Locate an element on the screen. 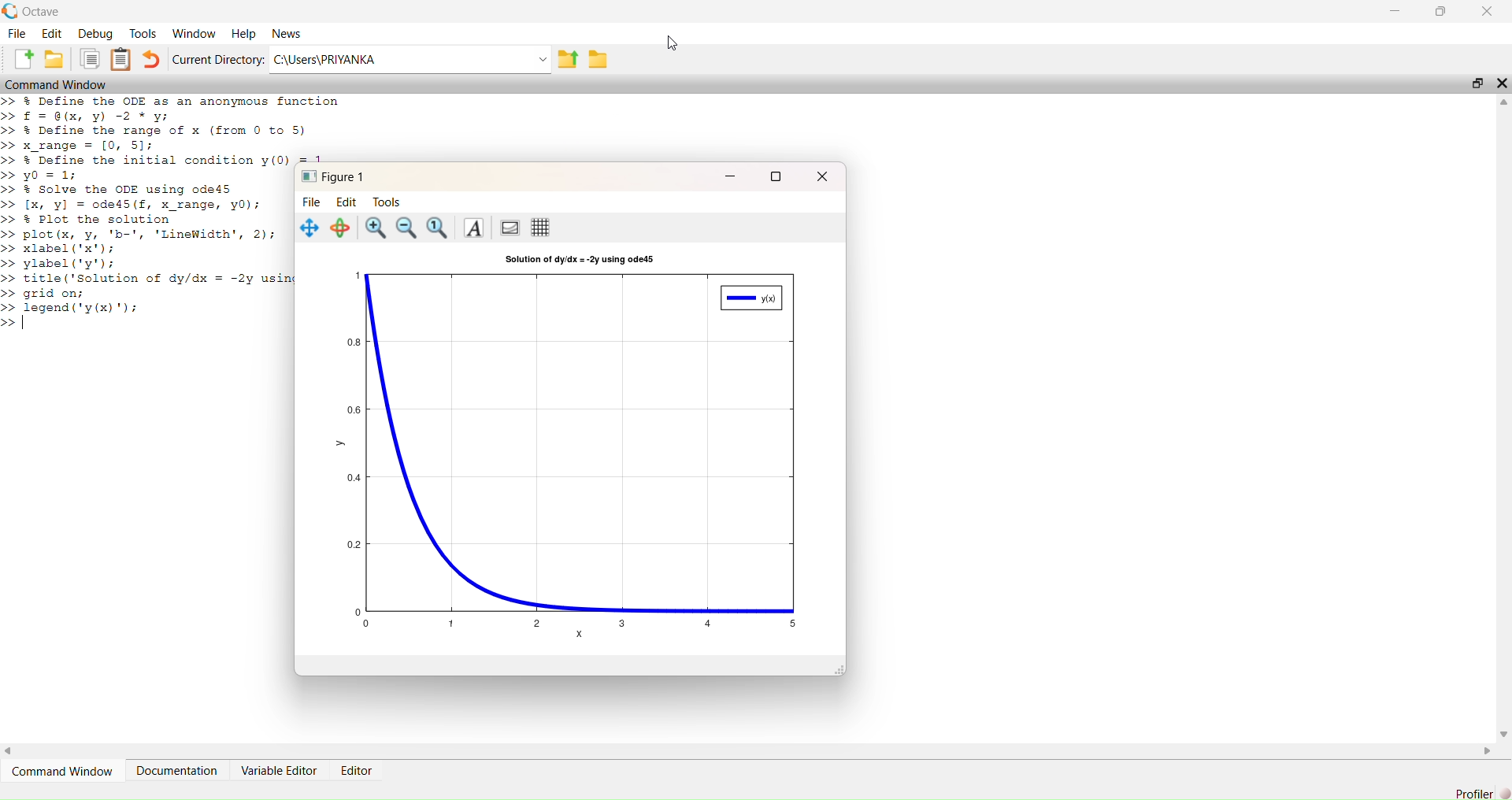  >> % Define the ODE as an anonymous function>> £= @(x, y) -2 * yi>> & Define the range of x (from 0 to 5)>> x_range = (0, 5];>> & Define the initial condition y(0) = 1>> y0 = 1;>> % Solve the ODE using ode45>> [x, y] = oded5(f, x_range, y0);>> % Plot the solution>> plot (x, y, 'b-', 'LineWidth', 2); >> Xlabel('x"}7>> ylabel('y');>> title ("Solution of dy/dx = -2y using>> grid on;>> legend ('y(x)");o> | is located at coordinates (146, 212).